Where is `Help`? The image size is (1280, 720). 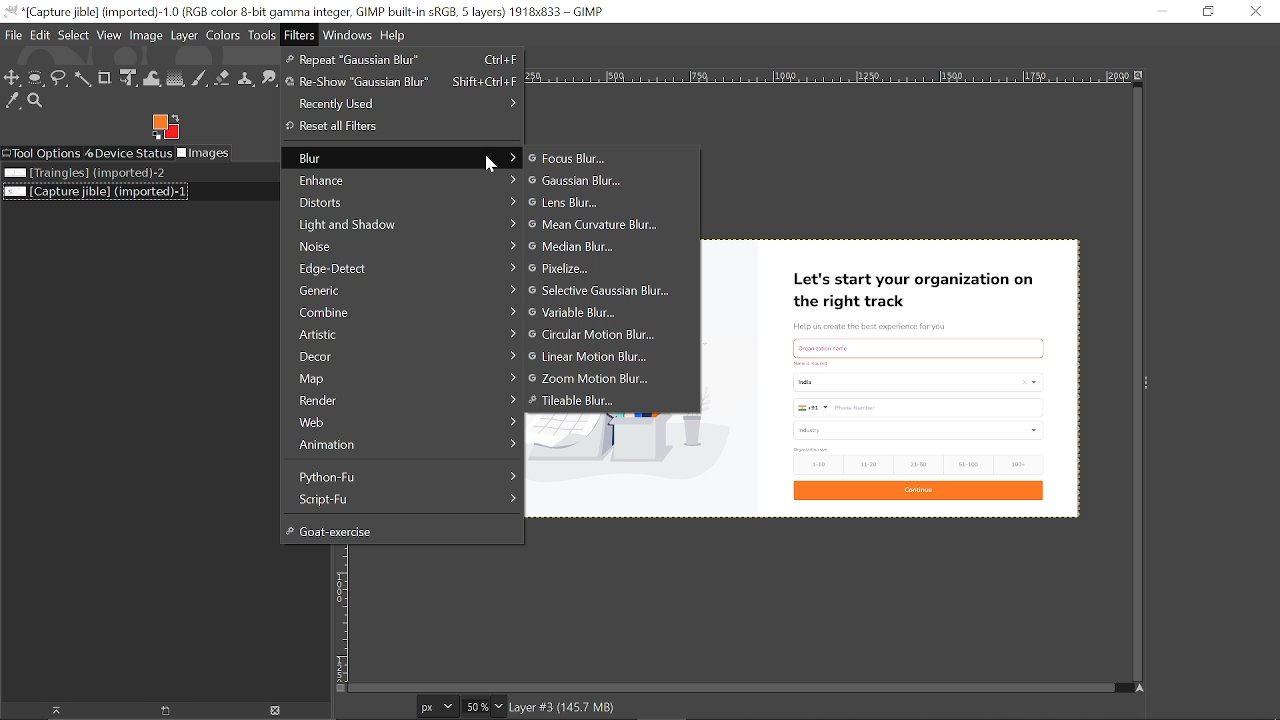
Help is located at coordinates (394, 35).